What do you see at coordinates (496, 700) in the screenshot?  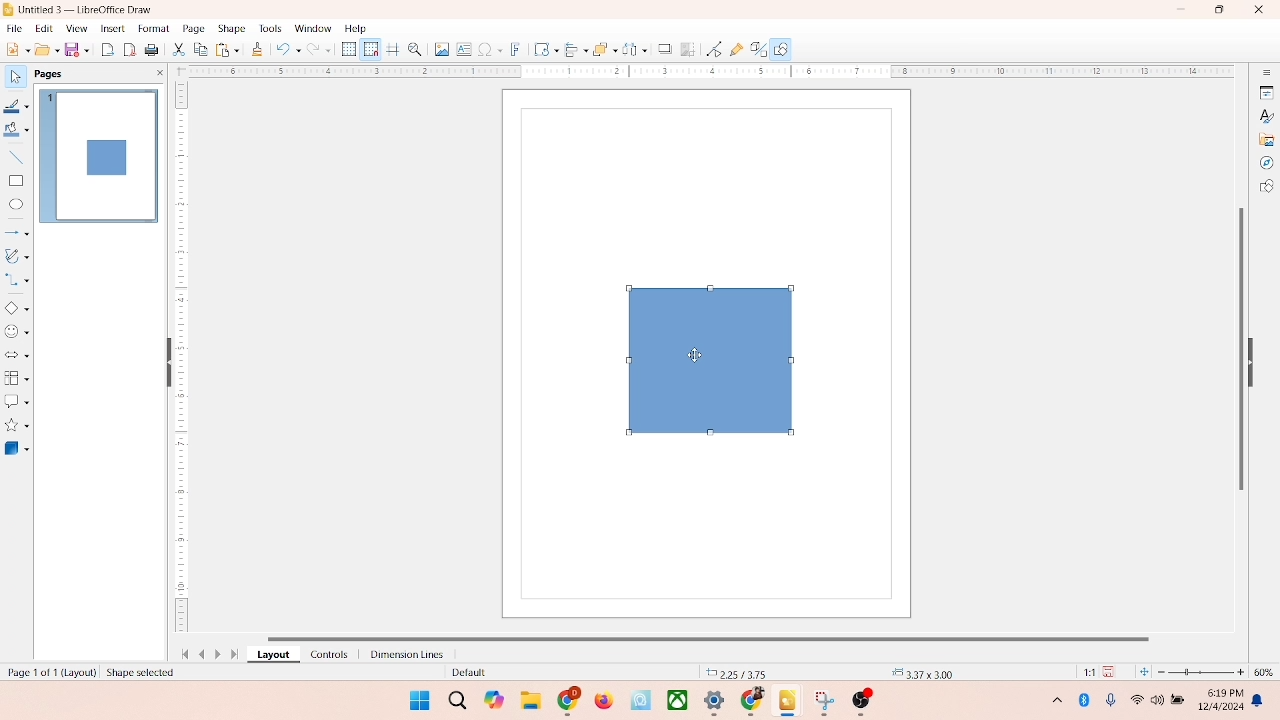 I see `copilot` at bounding box center [496, 700].